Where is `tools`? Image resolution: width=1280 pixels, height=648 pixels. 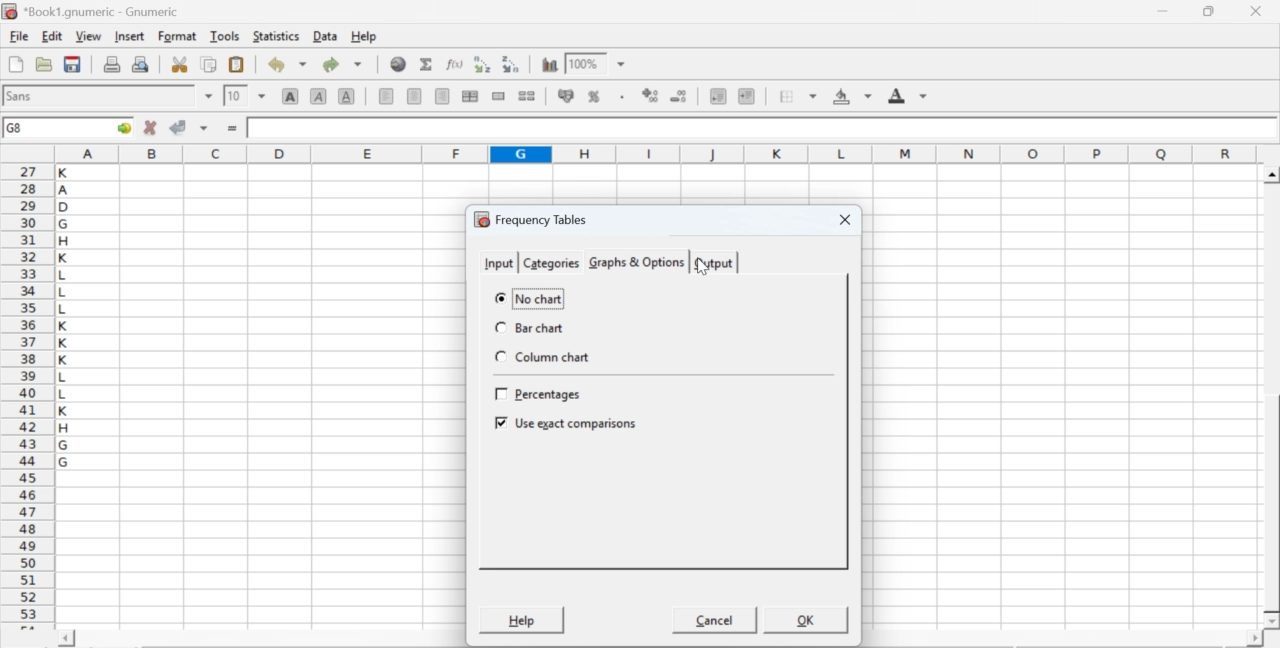
tools is located at coordinates (226, 35).